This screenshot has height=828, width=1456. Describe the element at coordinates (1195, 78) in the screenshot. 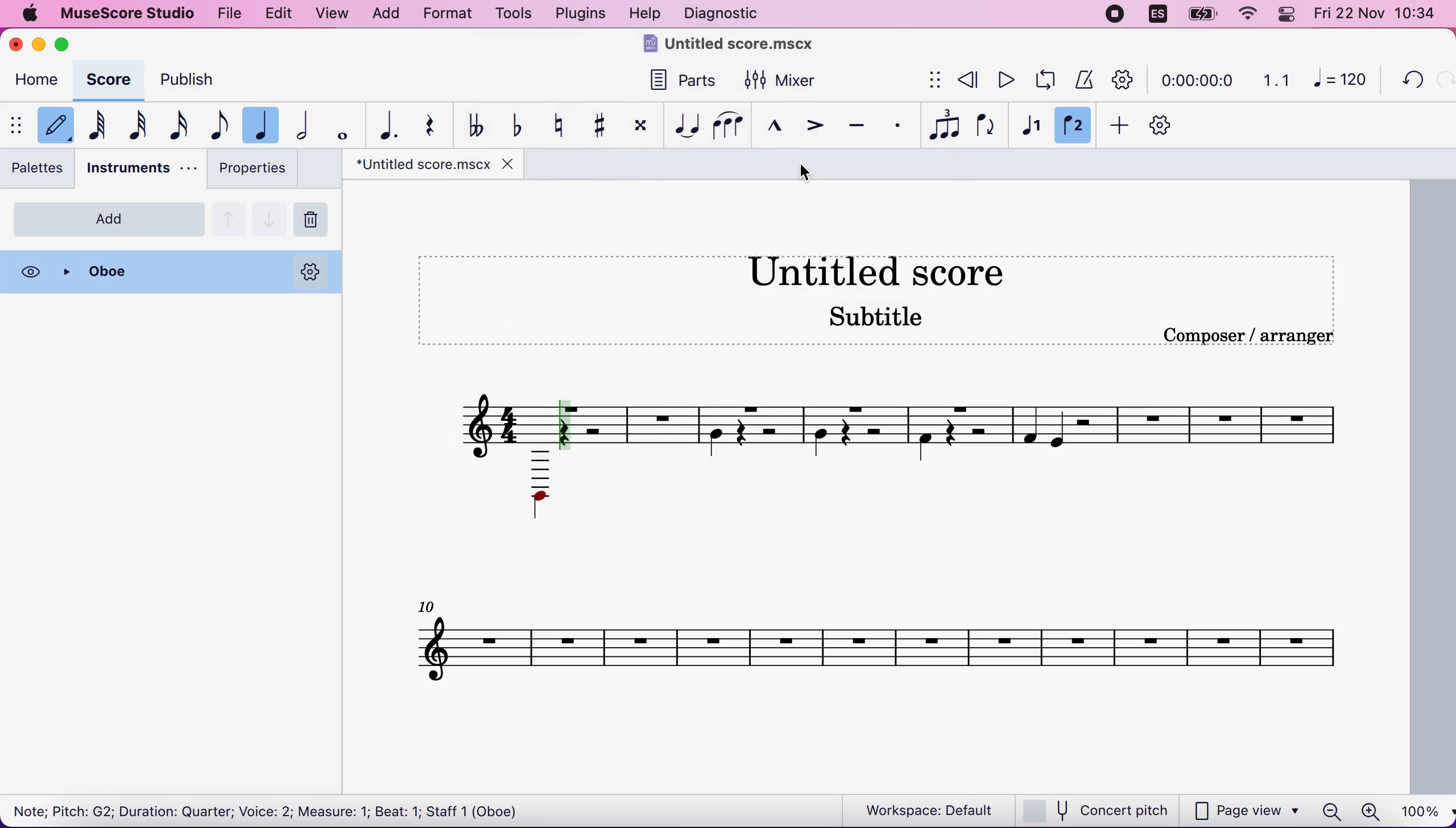

I see `time` at that location.